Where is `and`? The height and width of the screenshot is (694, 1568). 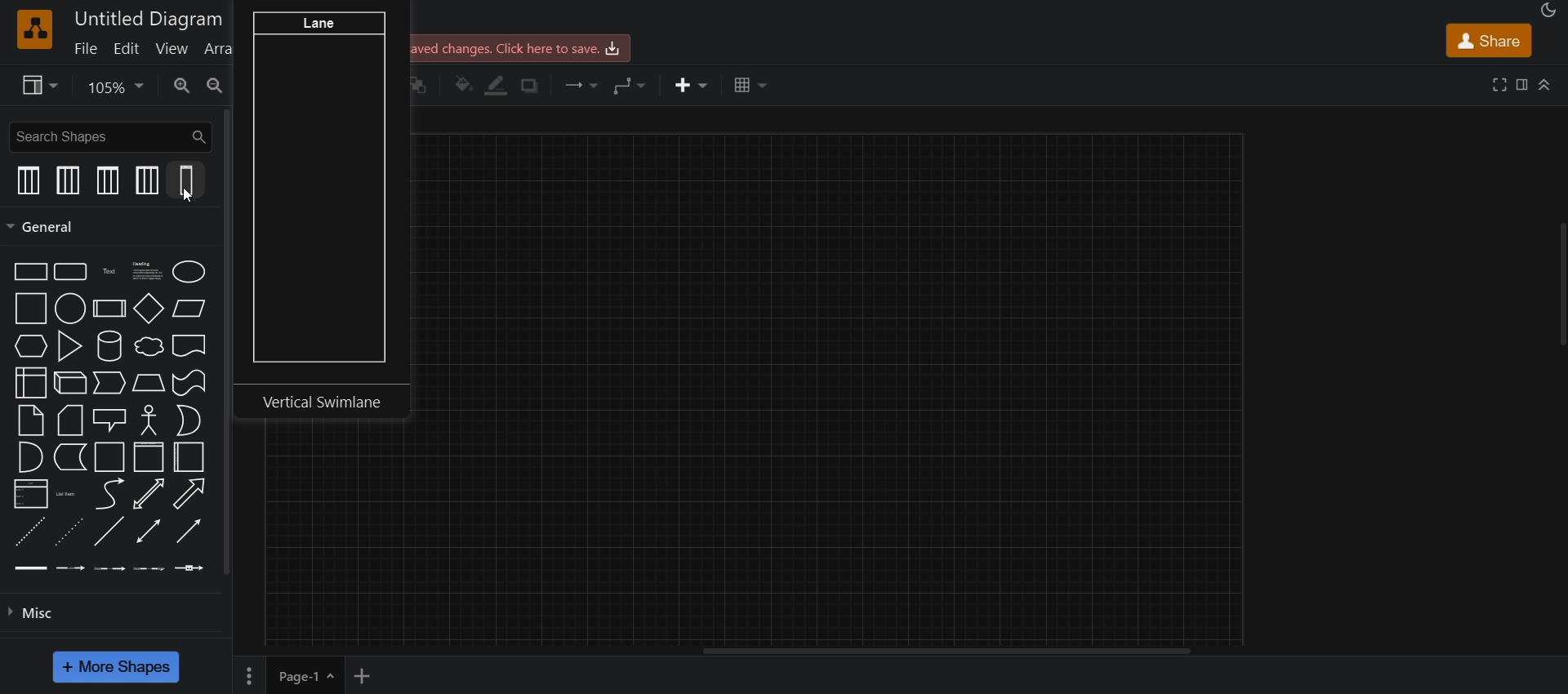 and is located at coordinates (30, 456).